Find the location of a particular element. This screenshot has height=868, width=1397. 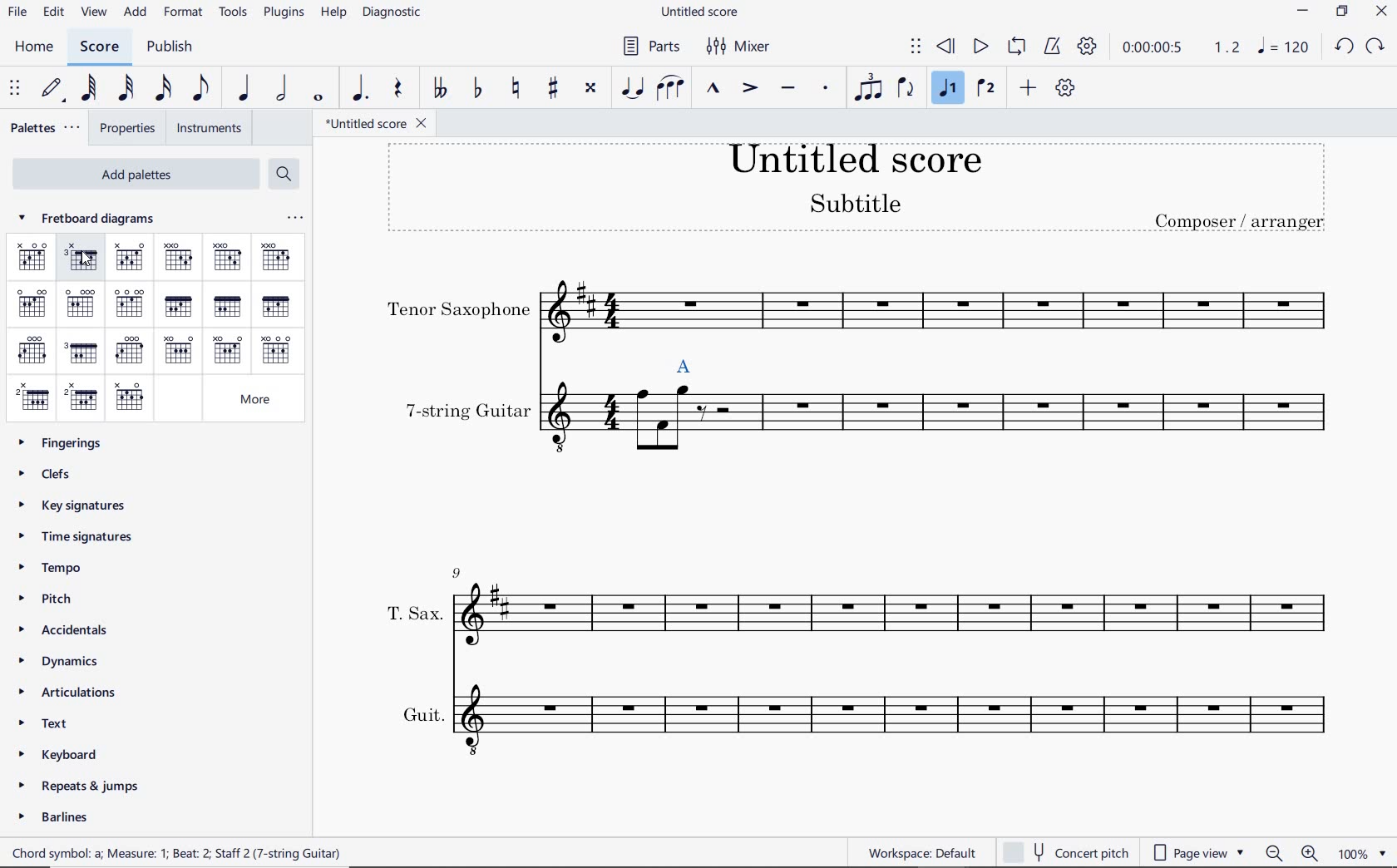

PLUGINS is located at coordinates (285, 15).